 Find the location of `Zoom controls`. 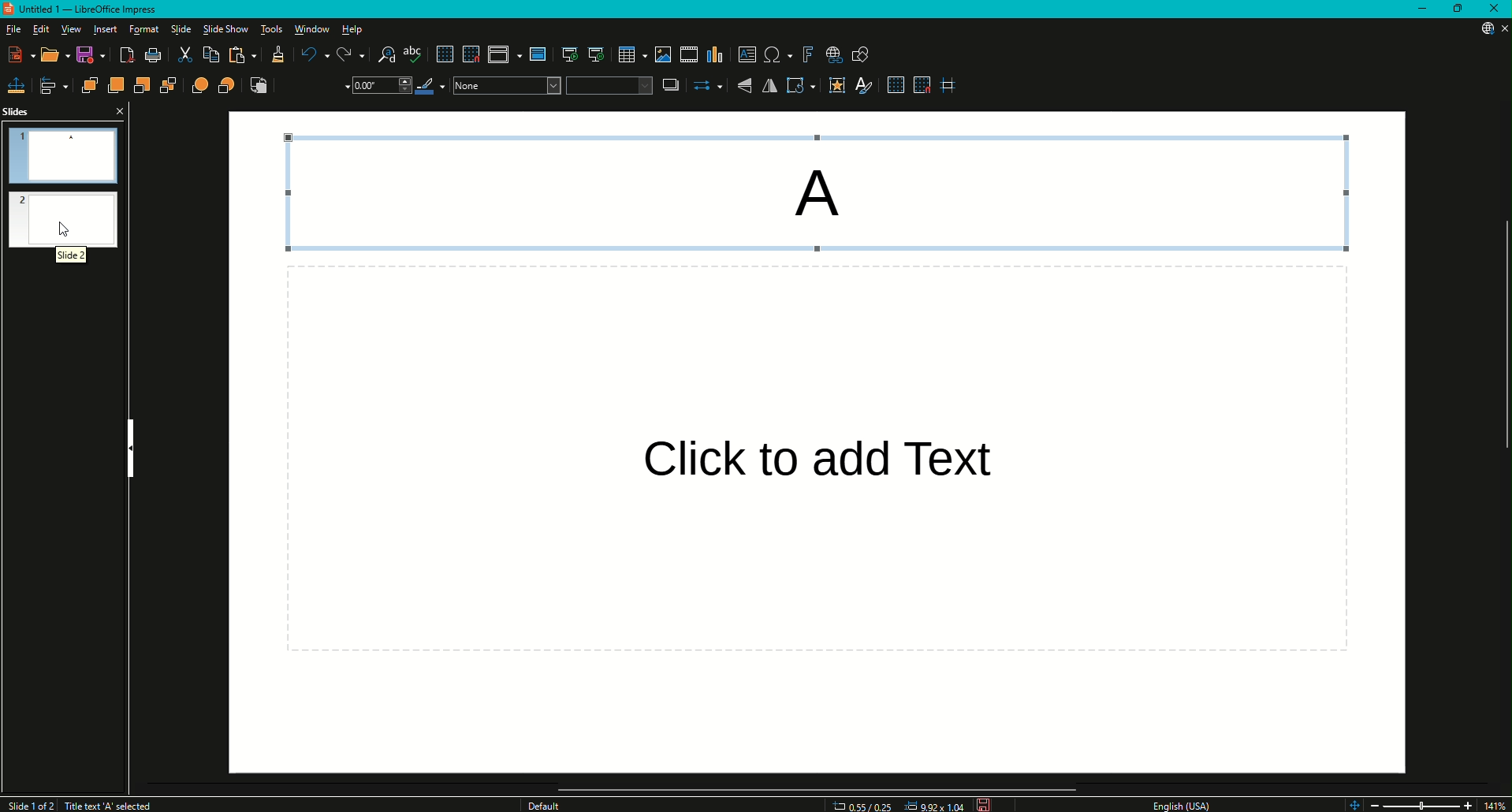

Zoom controls is located at coordinates (1351, 802).